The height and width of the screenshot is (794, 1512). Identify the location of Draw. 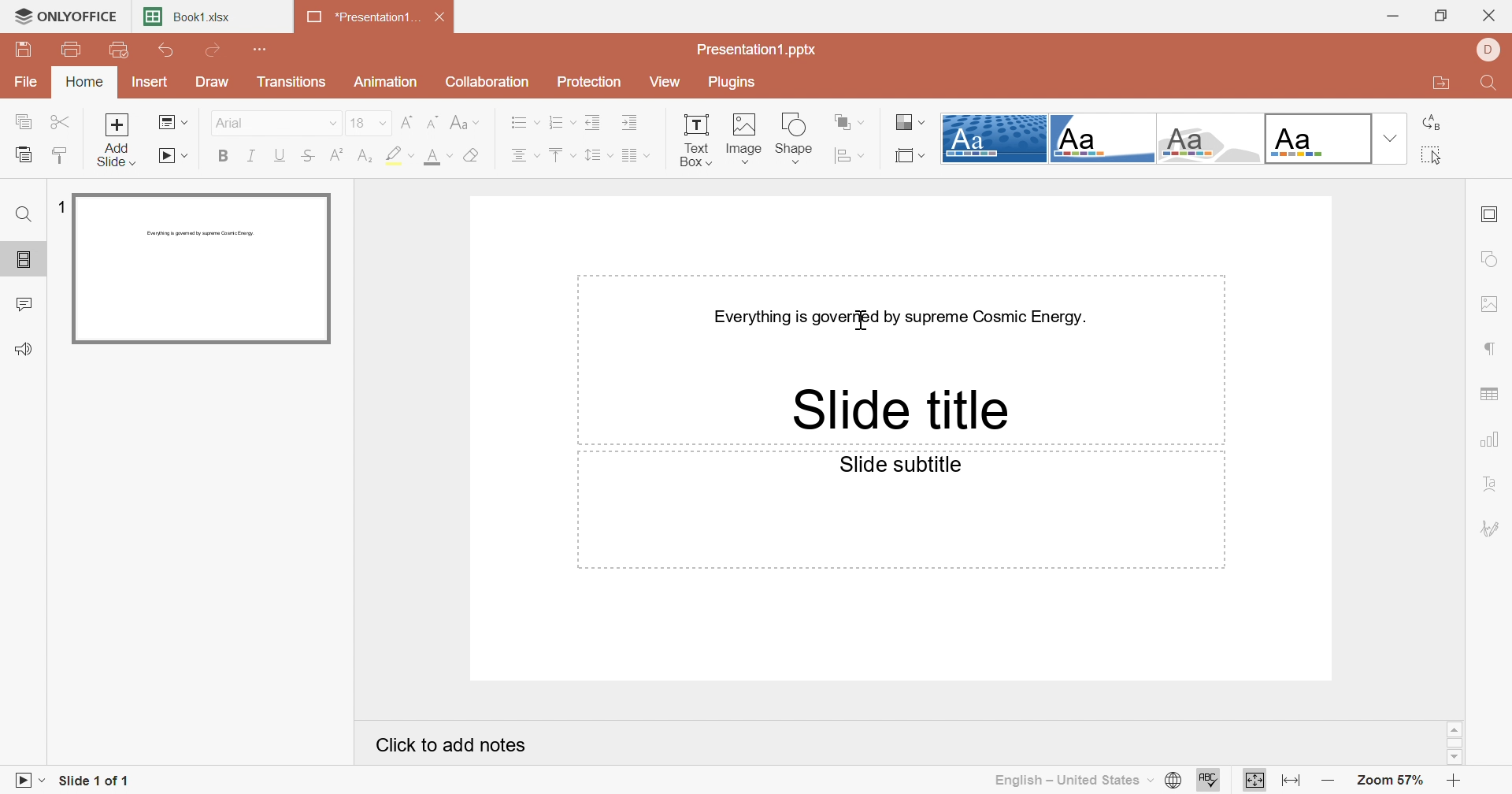
(213, 83).